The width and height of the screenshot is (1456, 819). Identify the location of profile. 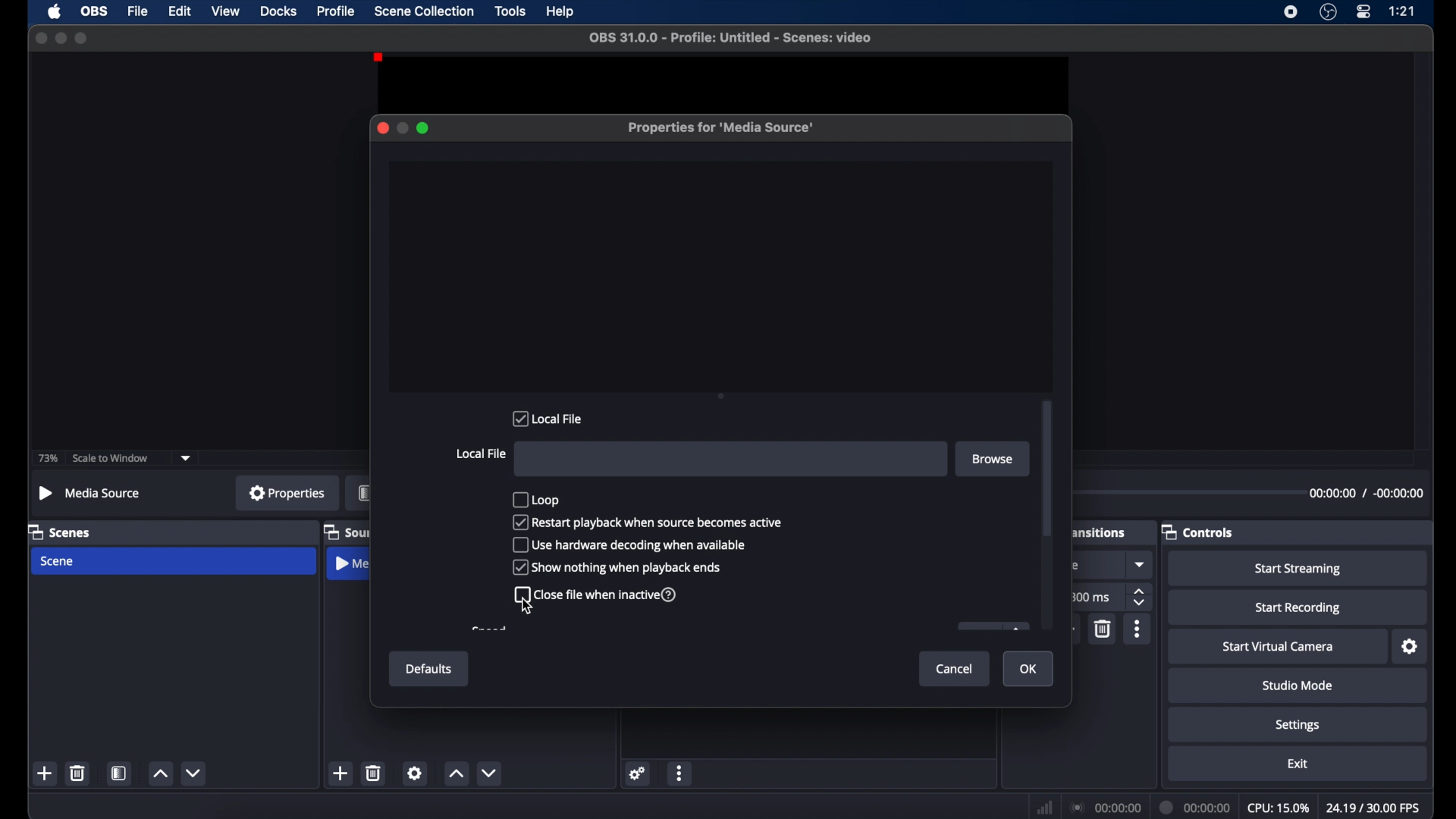
(337, 11).